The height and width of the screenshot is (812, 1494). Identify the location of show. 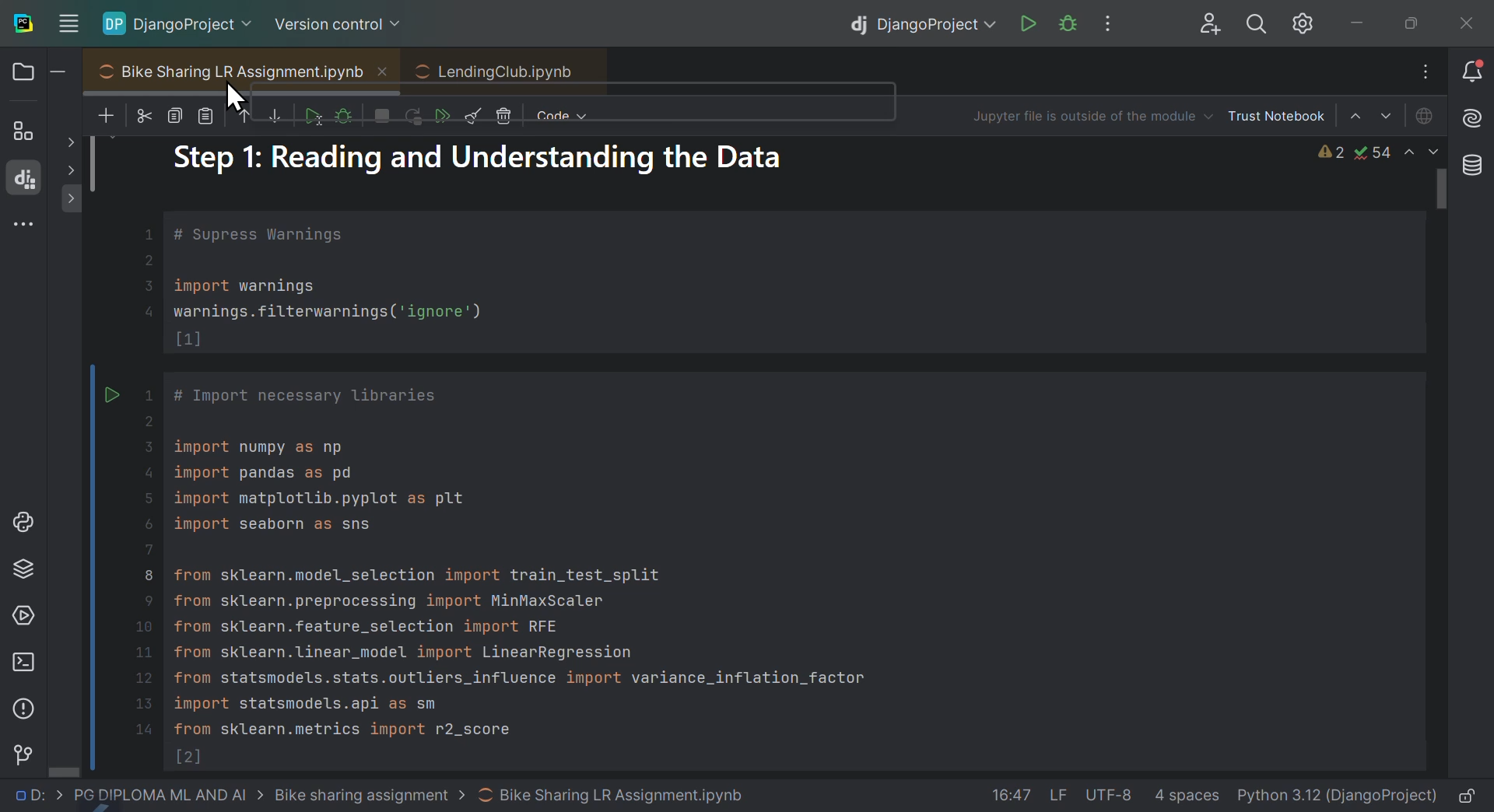
(72, 198).